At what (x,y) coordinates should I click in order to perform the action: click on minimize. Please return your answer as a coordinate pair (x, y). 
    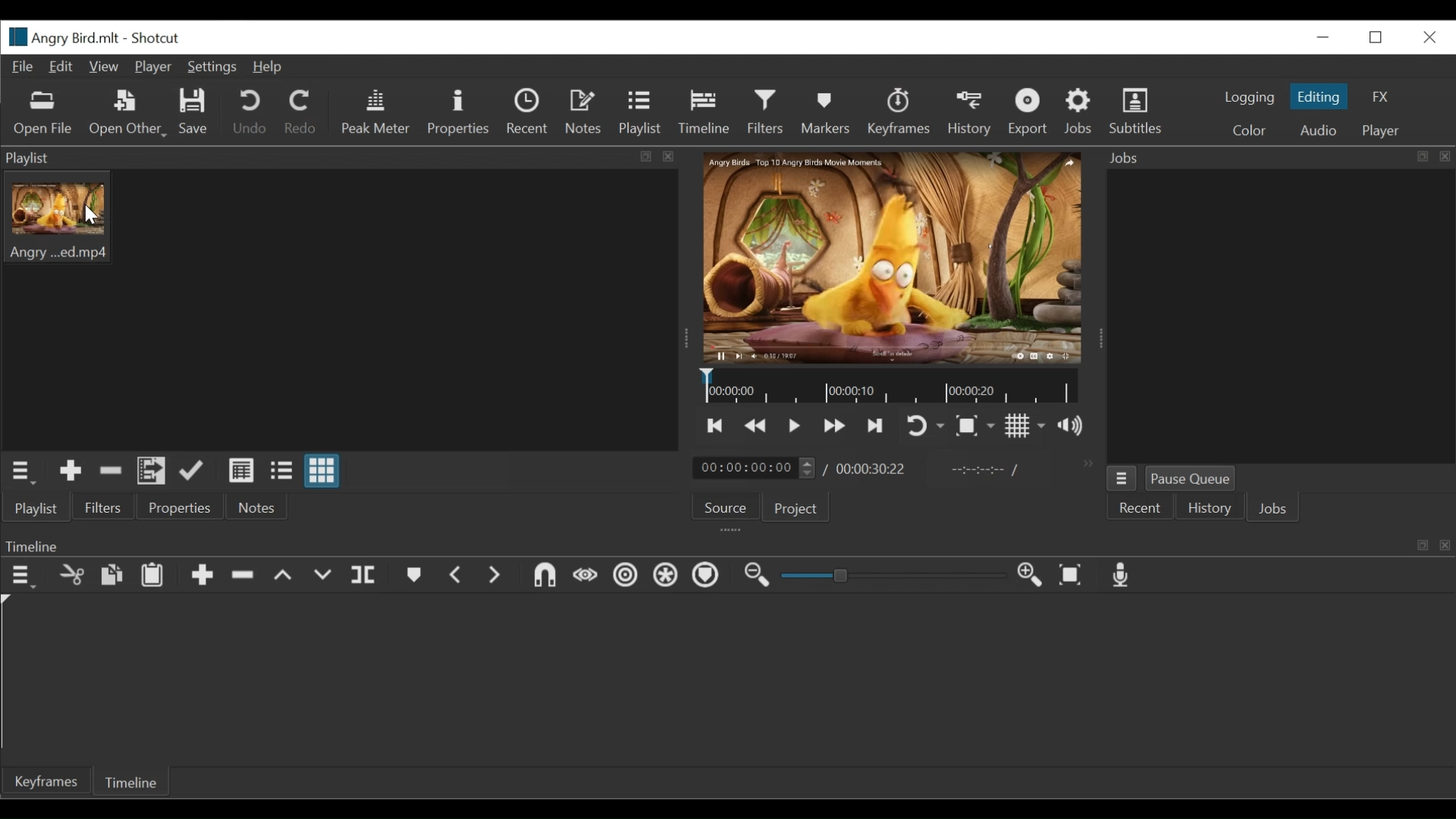
    Looking at the image, I should click on (1322, 37).